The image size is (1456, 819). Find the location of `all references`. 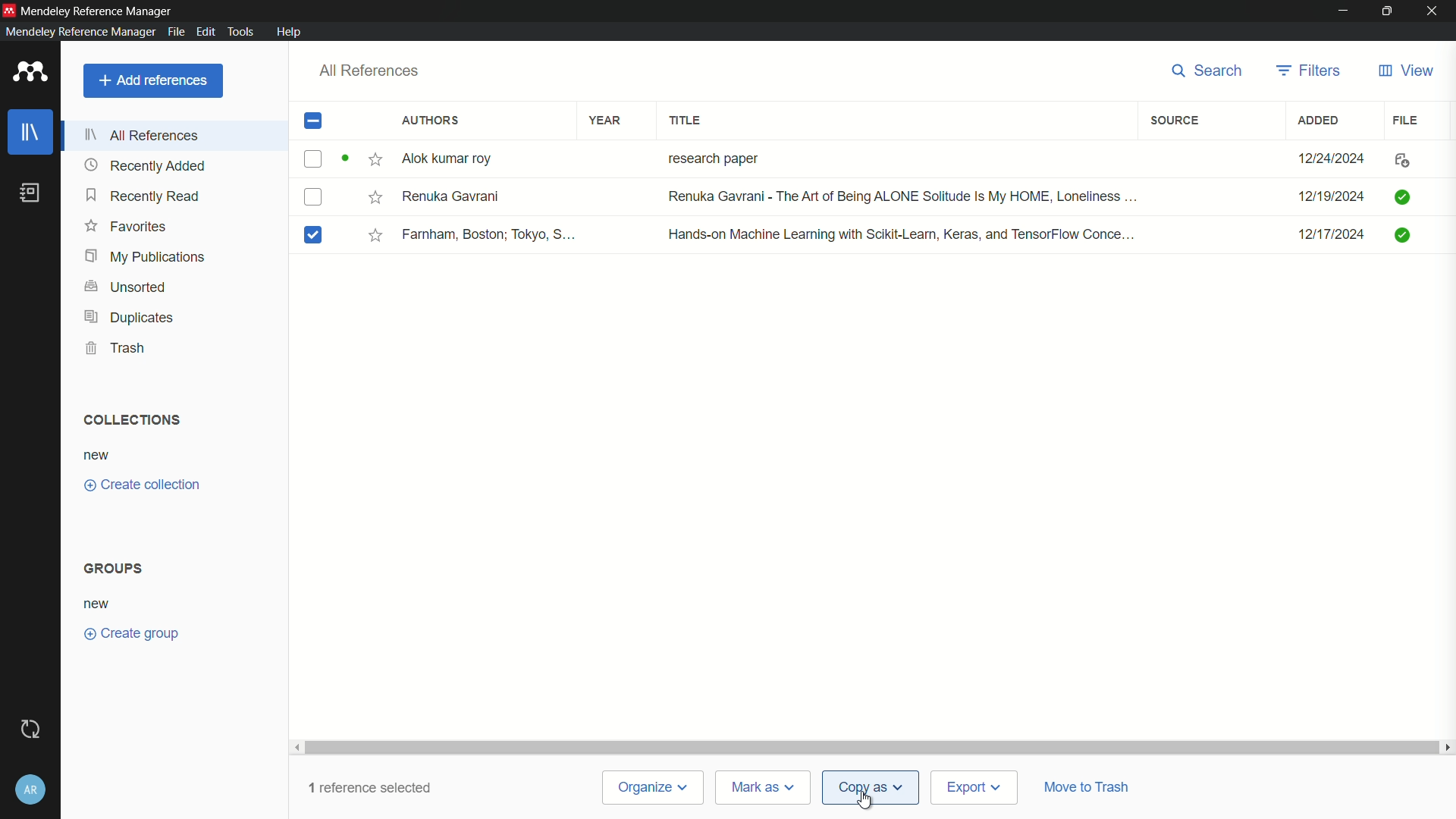

all references is located at coordinates (370, 70).